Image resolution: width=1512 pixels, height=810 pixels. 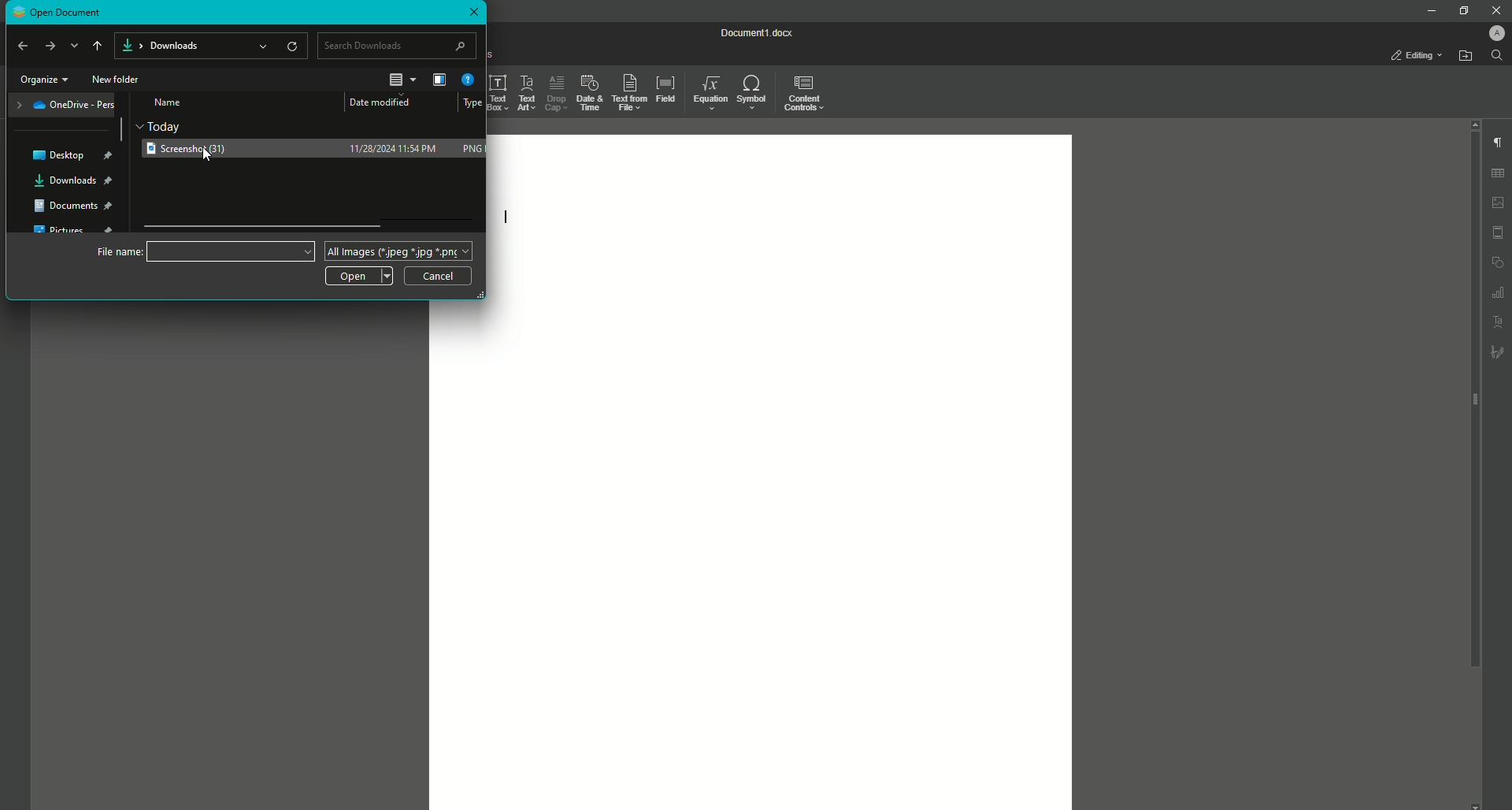 I want to click on Date Modified, so click(x=389, y=101).